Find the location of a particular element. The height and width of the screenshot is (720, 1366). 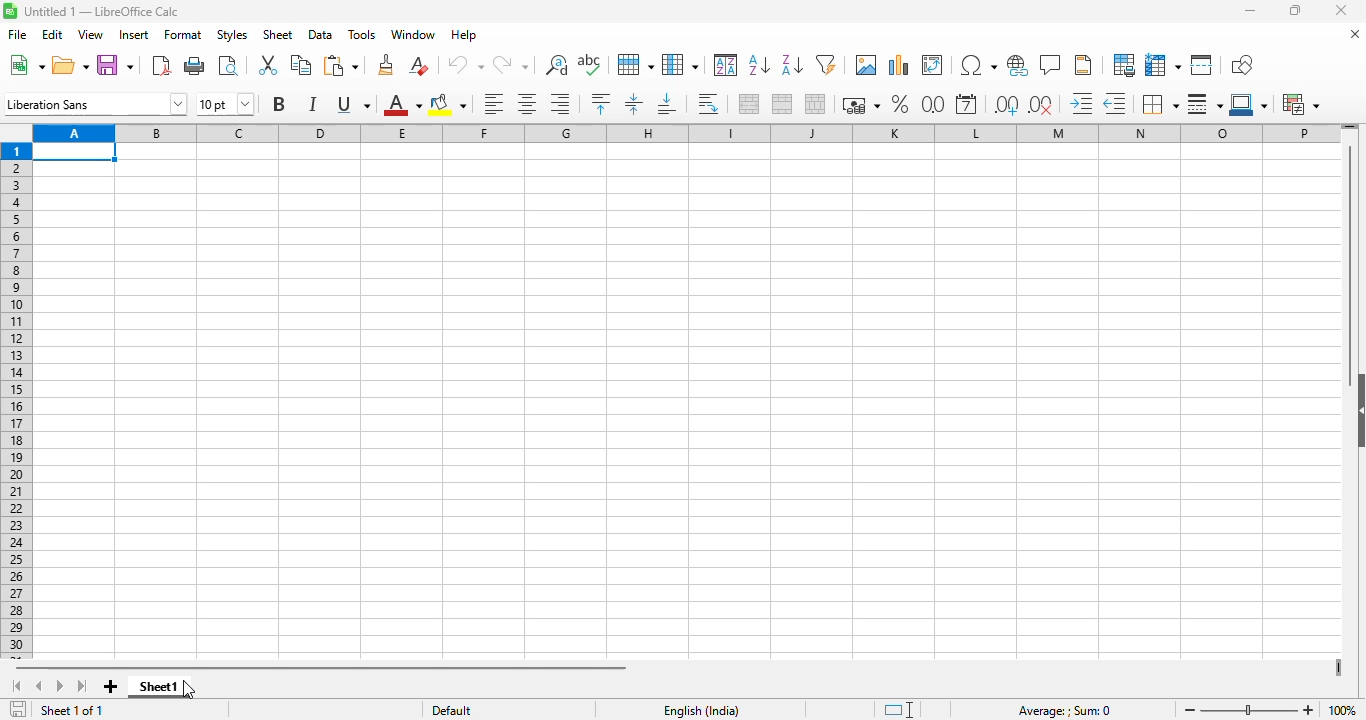

insert is located at coordinates (134, 34).